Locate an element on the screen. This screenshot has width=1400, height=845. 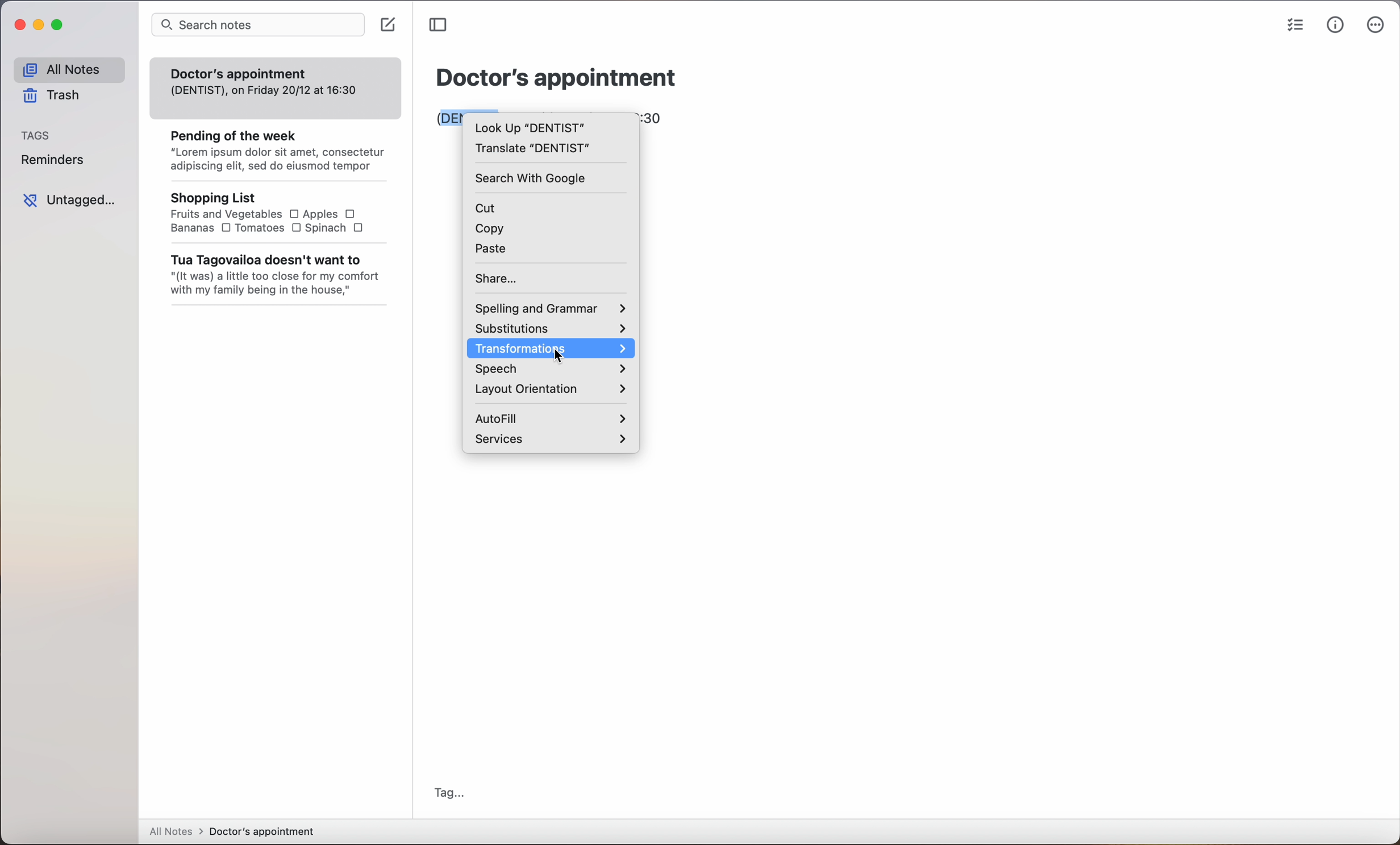
maximize is located at coordinates (60, 26).